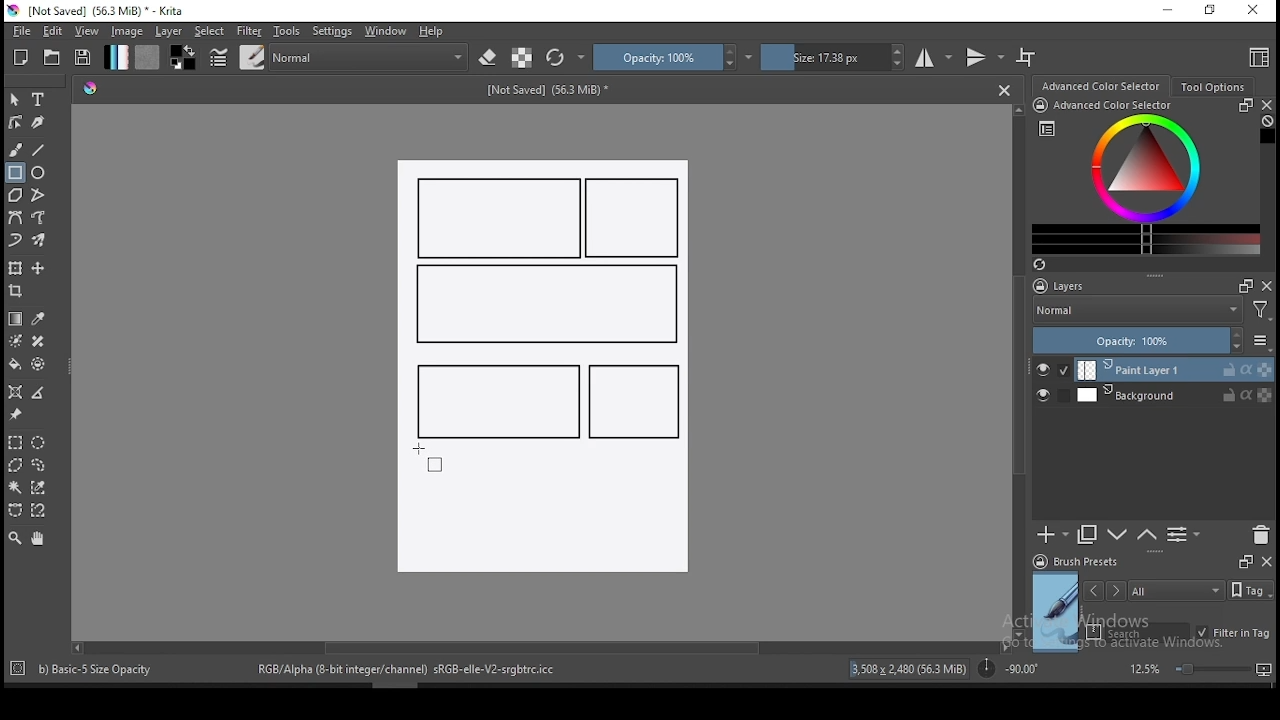  Describe the element at coordinates (566, 57) in the screenshot. I see `reload original preset` at that location.